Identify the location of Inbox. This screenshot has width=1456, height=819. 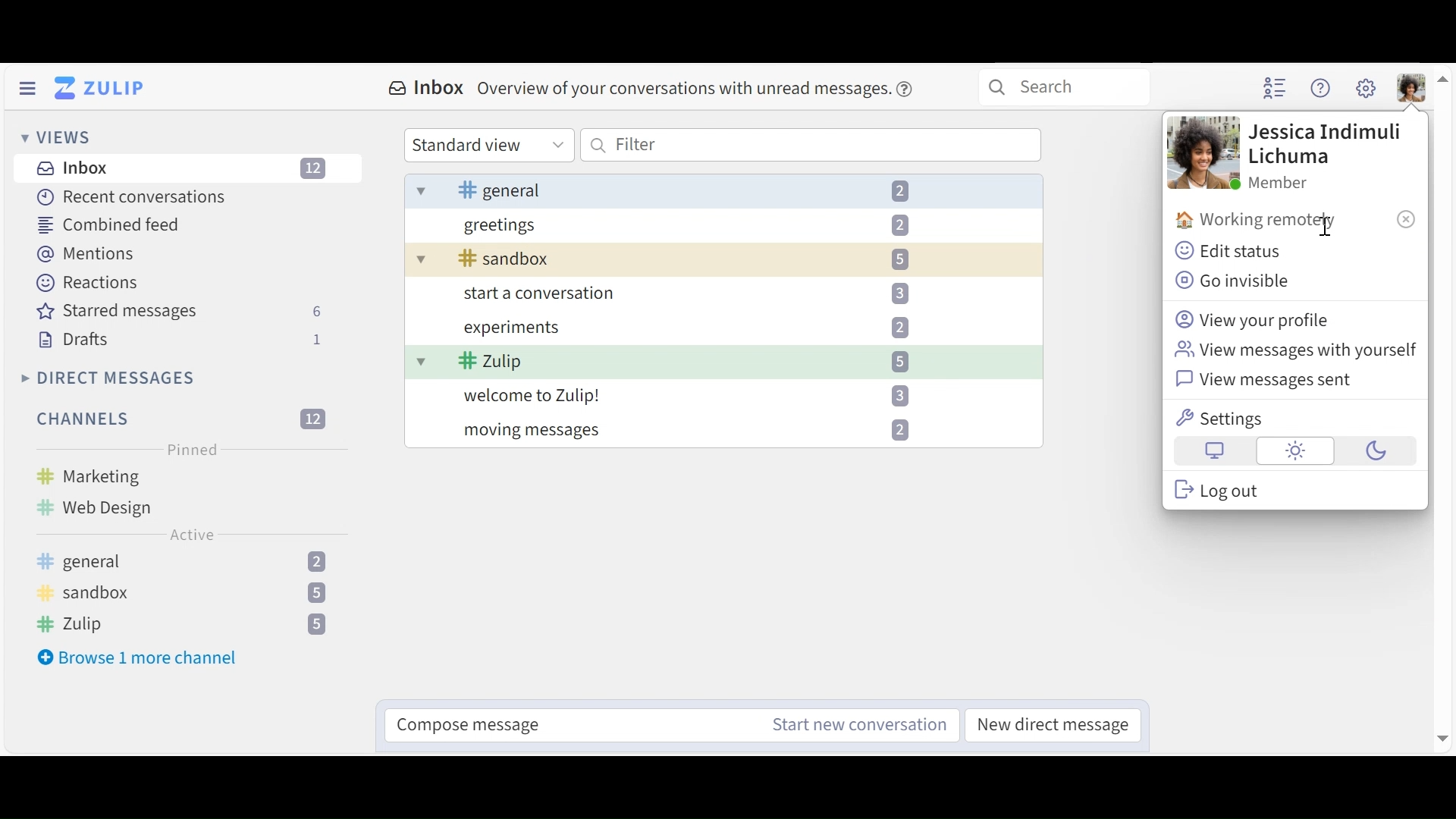
(656, 92).